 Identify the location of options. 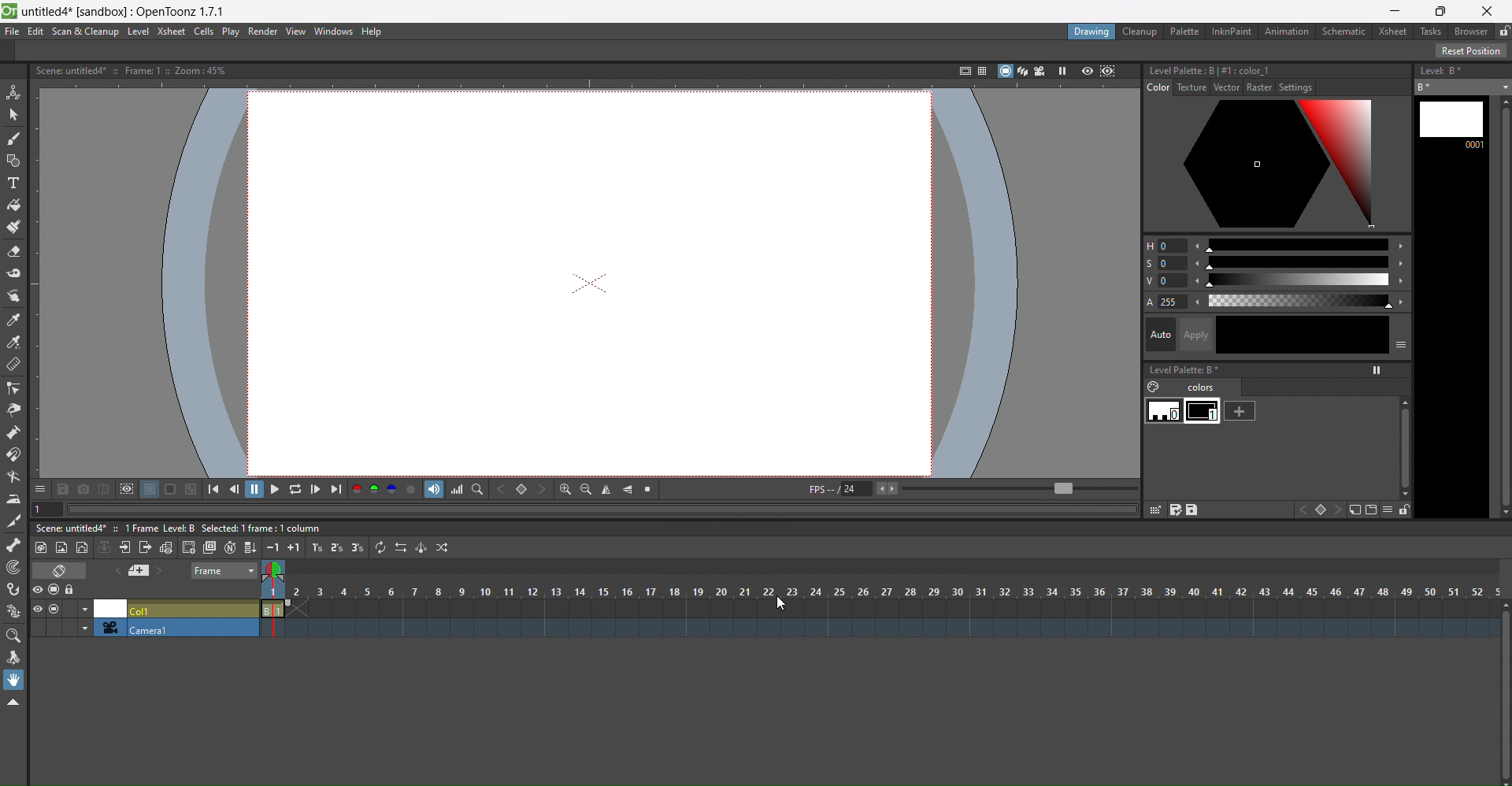
(1401, 343).